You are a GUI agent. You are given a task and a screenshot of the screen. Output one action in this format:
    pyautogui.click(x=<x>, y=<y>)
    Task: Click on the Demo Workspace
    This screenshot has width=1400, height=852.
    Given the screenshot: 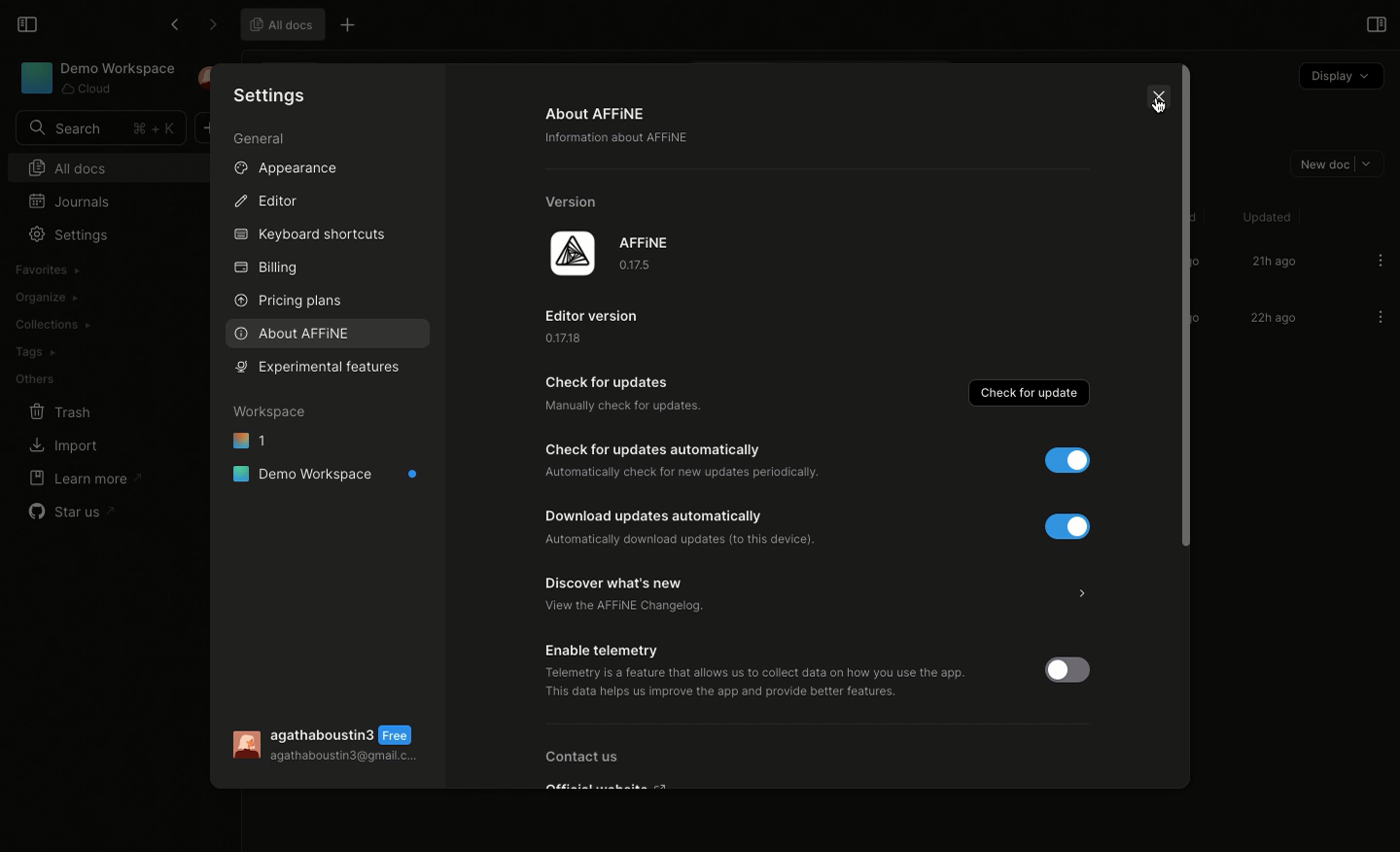 What is the action you would take?
    pyautogui.click(x=98, y=78)
    